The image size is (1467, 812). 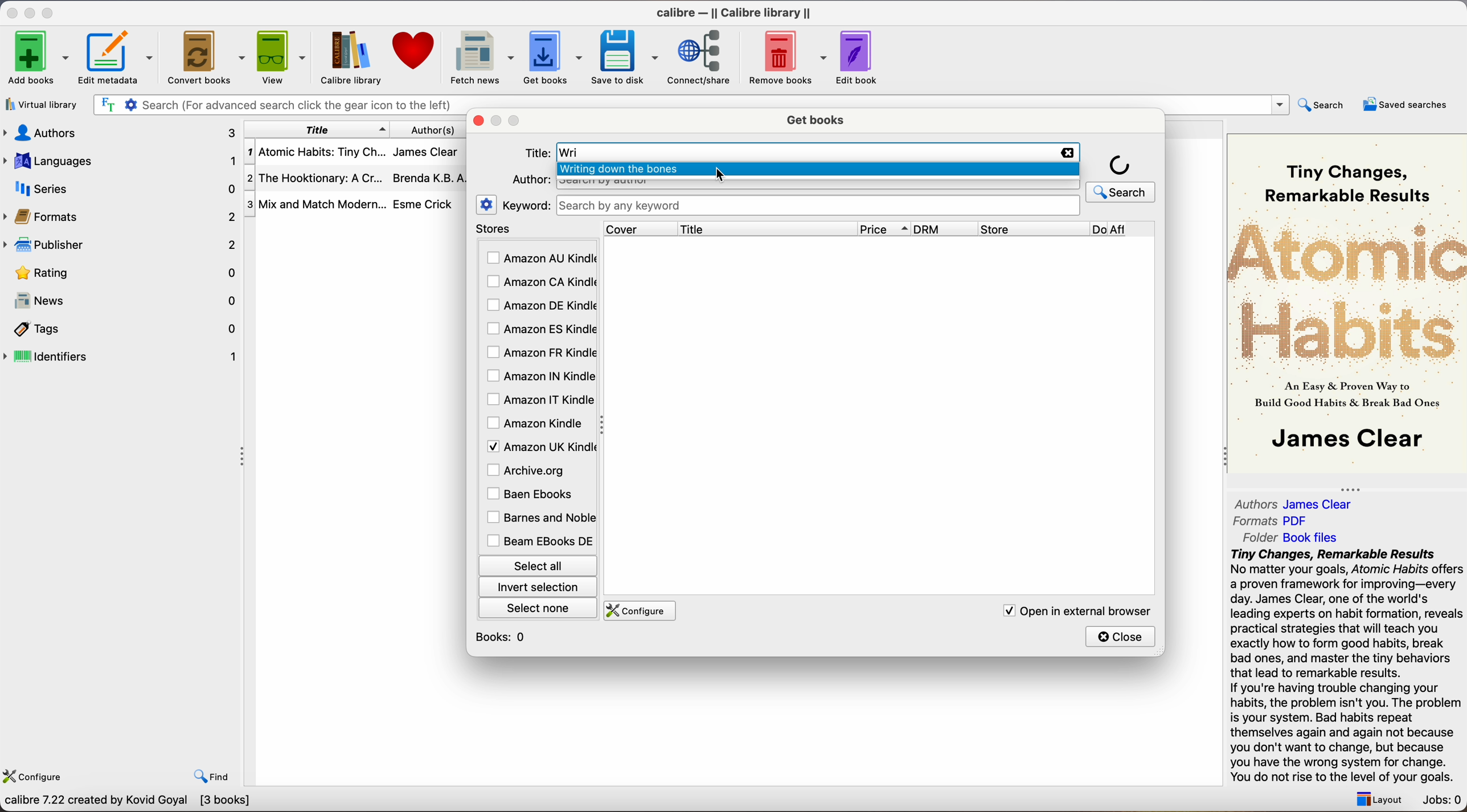 I want to click on title, so click(x=767, y=228).